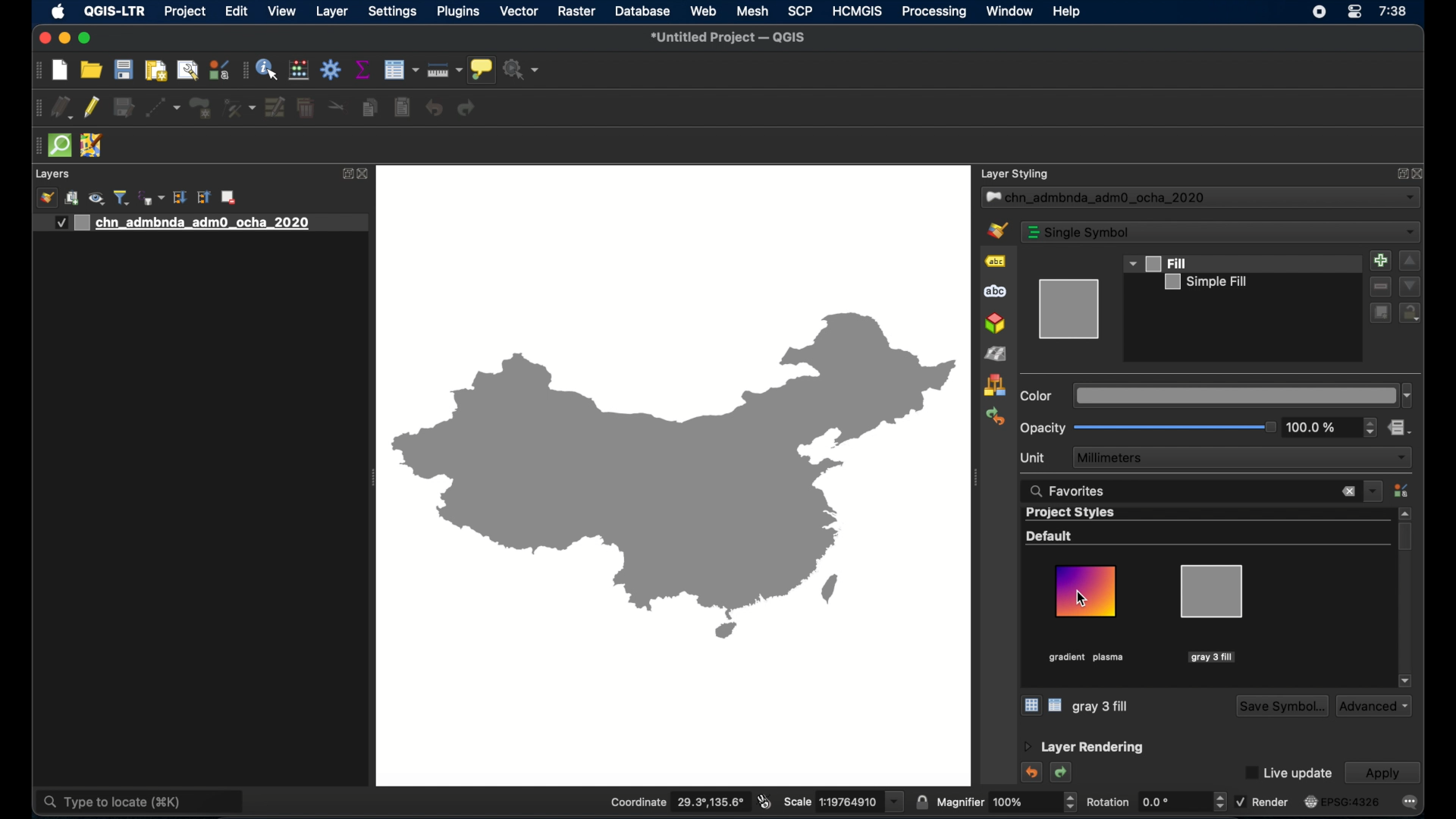 This screenshot has height=819, width=1456. I want to click on lock scale, so click(921, 802).